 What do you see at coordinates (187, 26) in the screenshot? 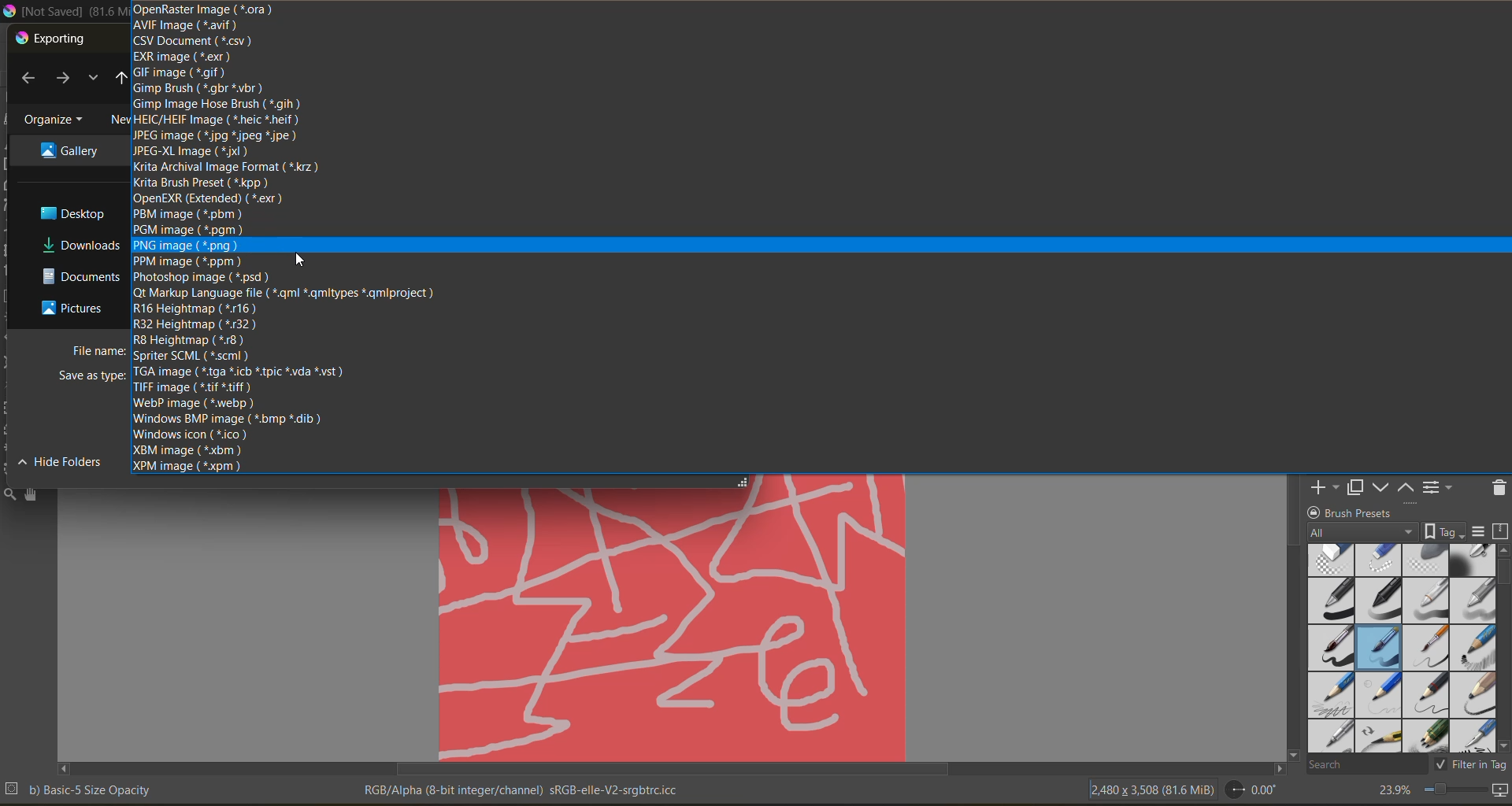
I see `avif image` at bounding box center [187, 26].